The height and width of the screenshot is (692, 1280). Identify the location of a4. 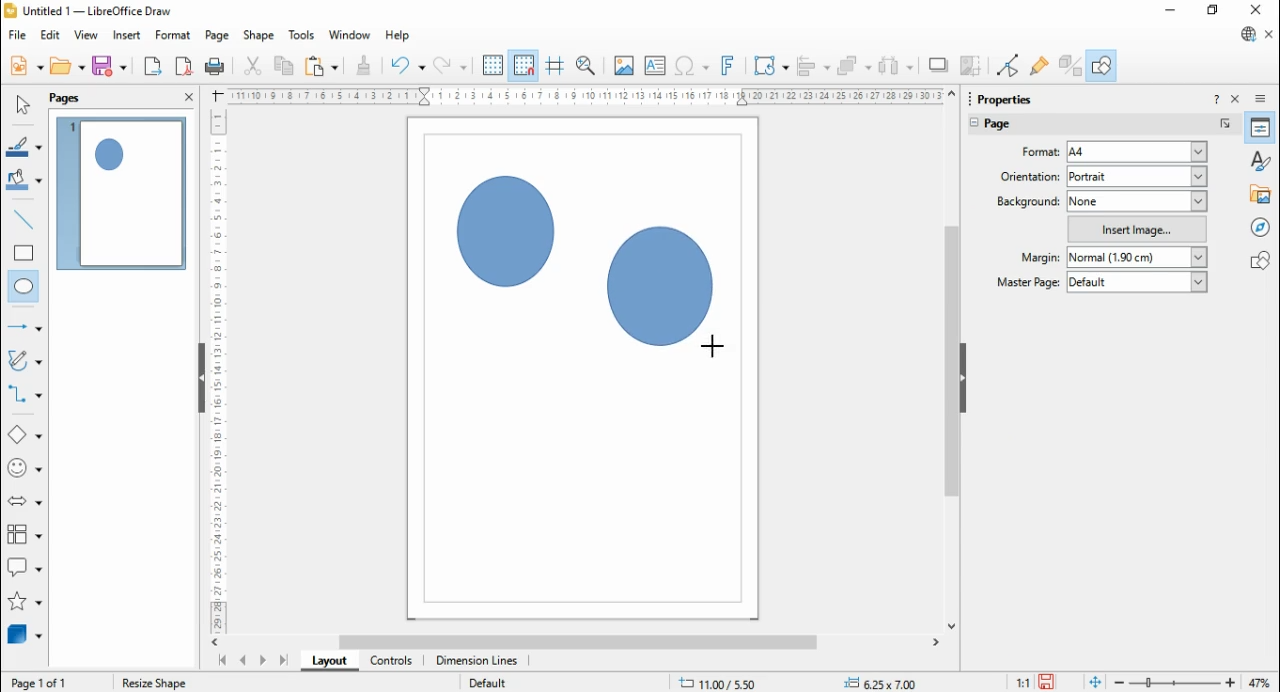
(1136, 152).